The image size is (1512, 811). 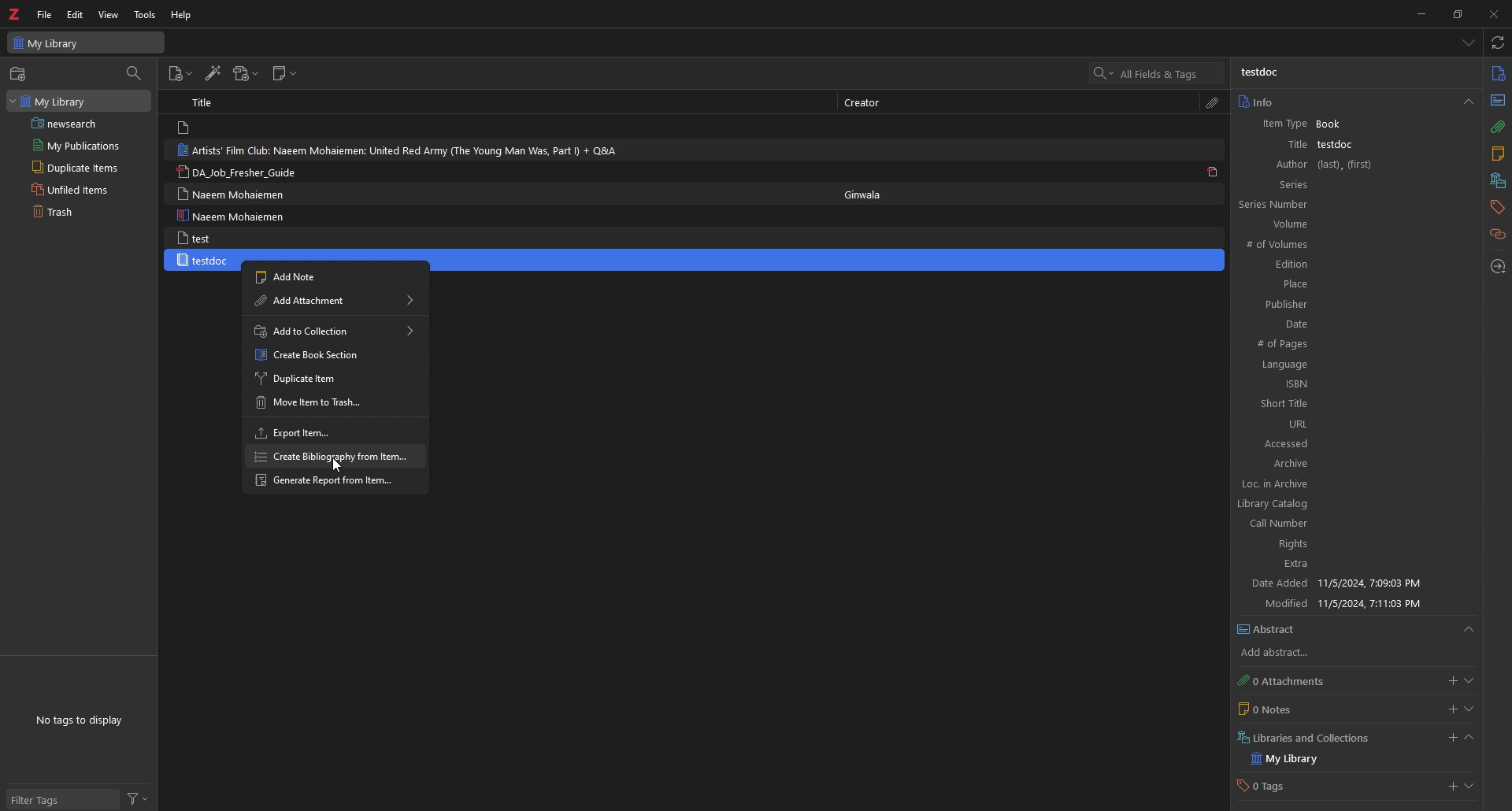 What do you see at coordinates (245, 74) in the screenshot?
I see `add attachment` at bounding box center [245, 74].